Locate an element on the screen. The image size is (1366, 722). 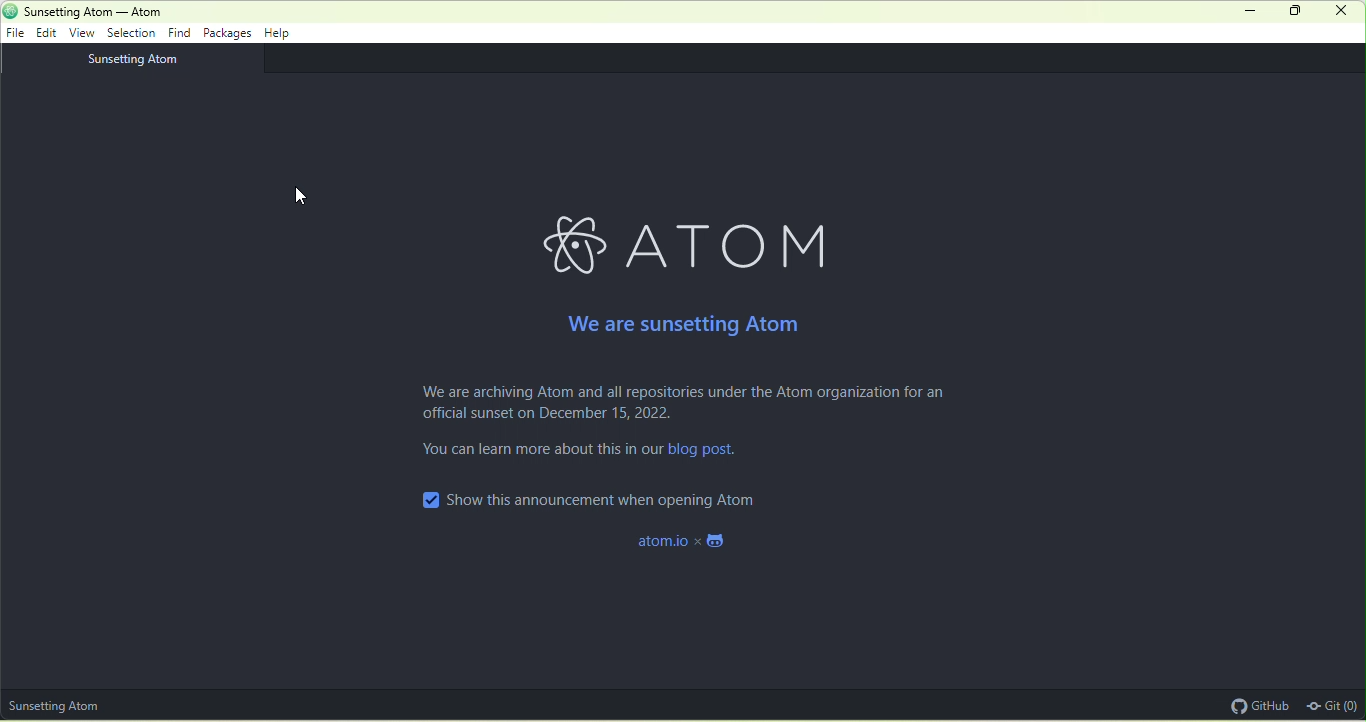
close is located at coordinates (1346, 14).